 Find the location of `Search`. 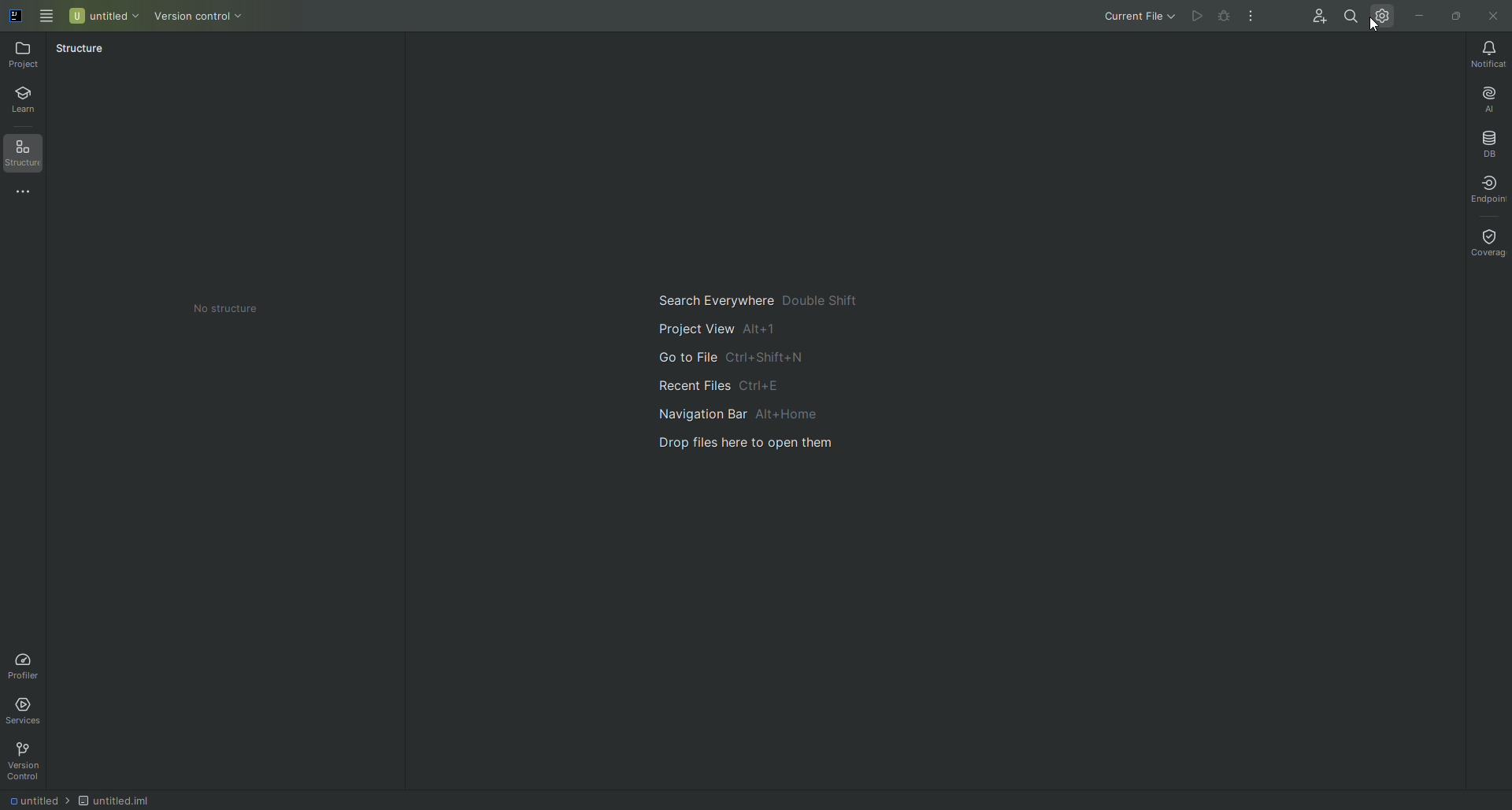

Search is located at coordinates (1349, 15).